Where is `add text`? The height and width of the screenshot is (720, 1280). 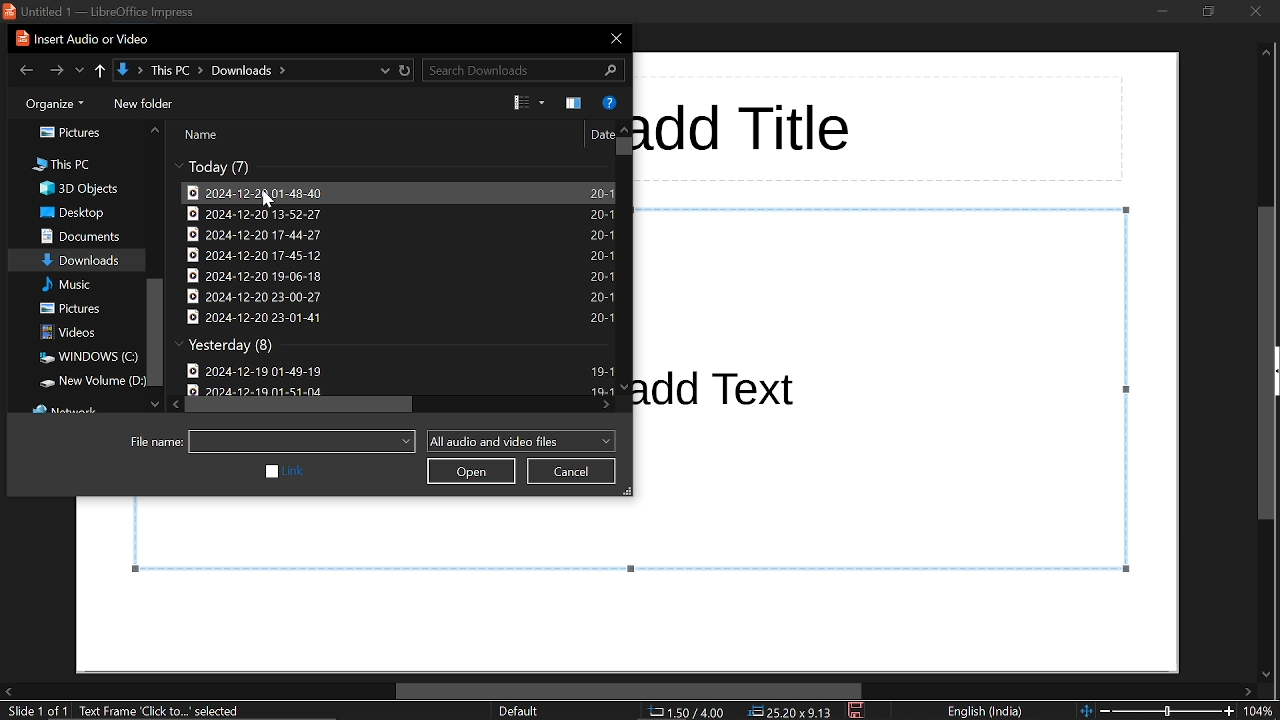
add text is located at coordinates (721, 386).